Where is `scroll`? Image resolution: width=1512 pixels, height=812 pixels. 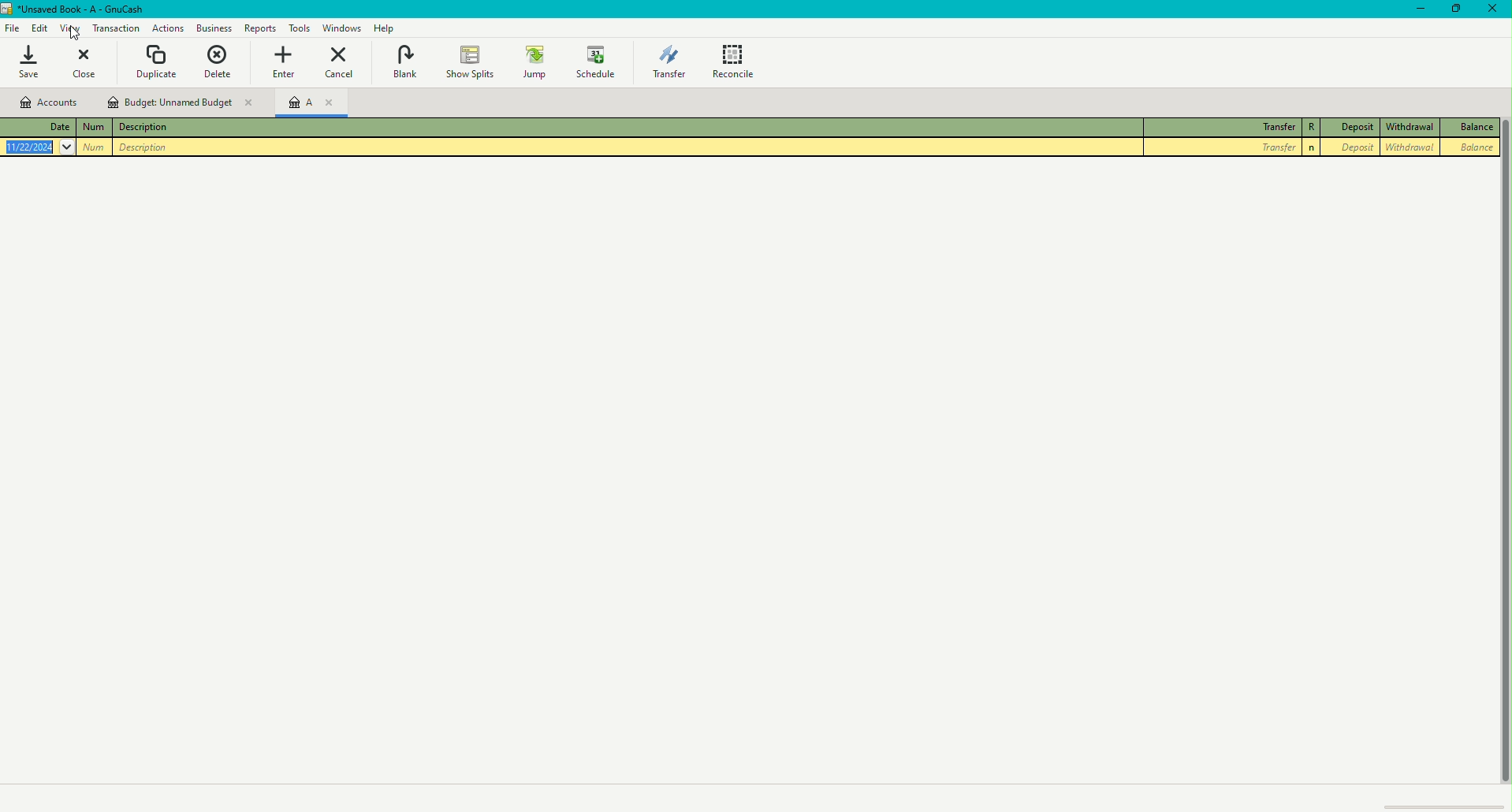 scroll is located at coordinates (1447, 803).